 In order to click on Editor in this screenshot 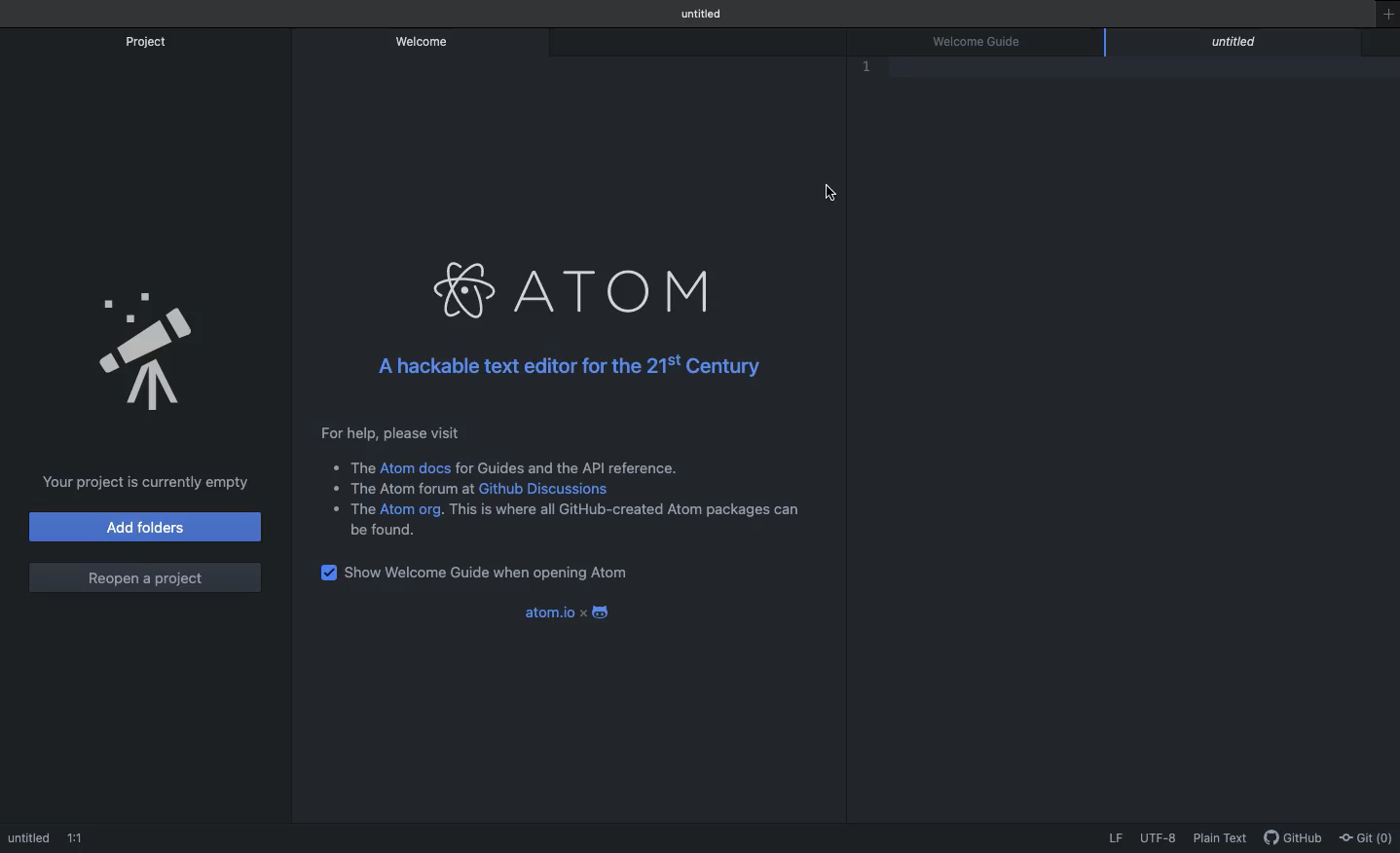, I will do `click(51, 837)`.